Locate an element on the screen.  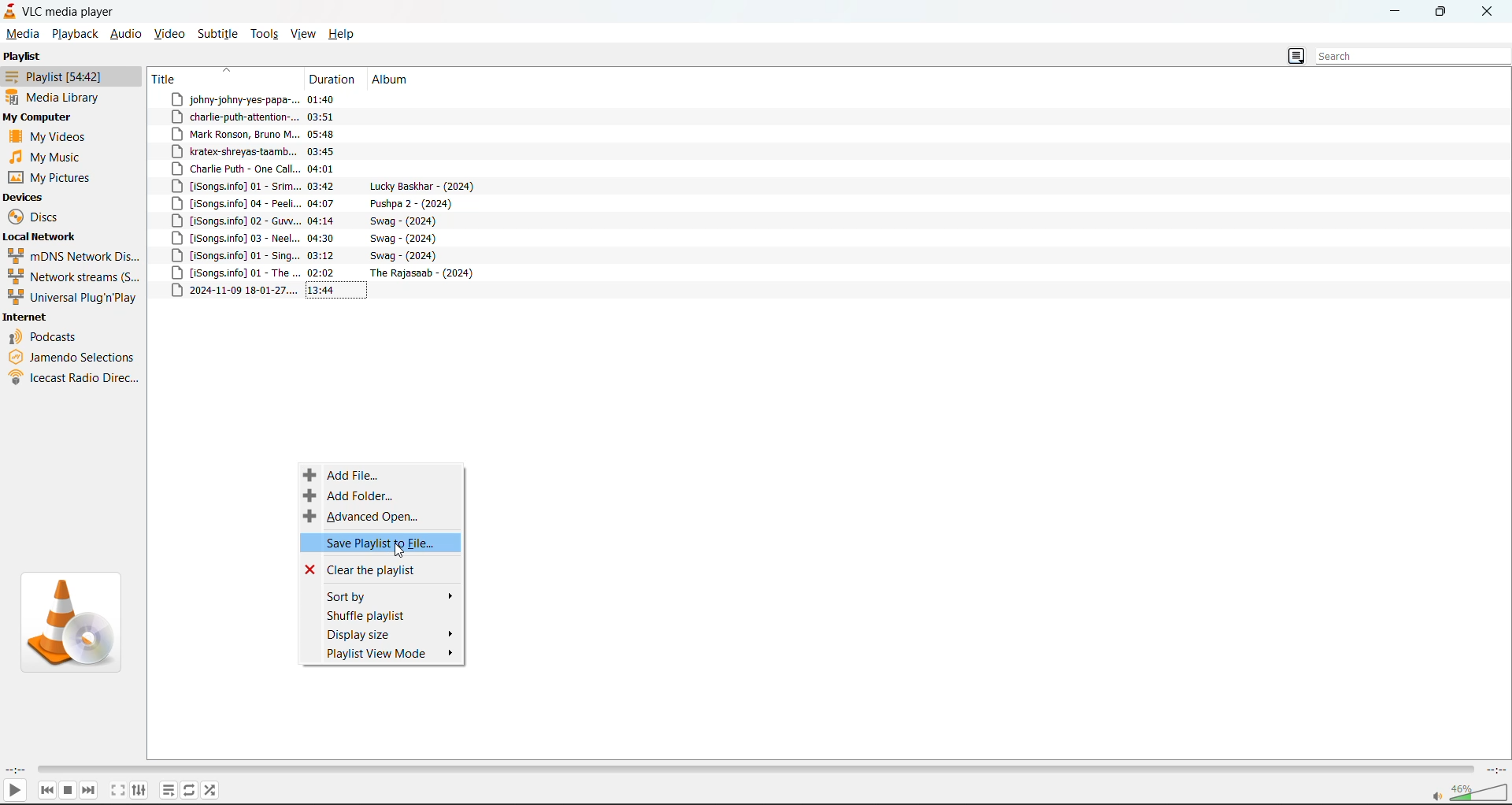
playlist view mode is located at coordinates (384, 653).